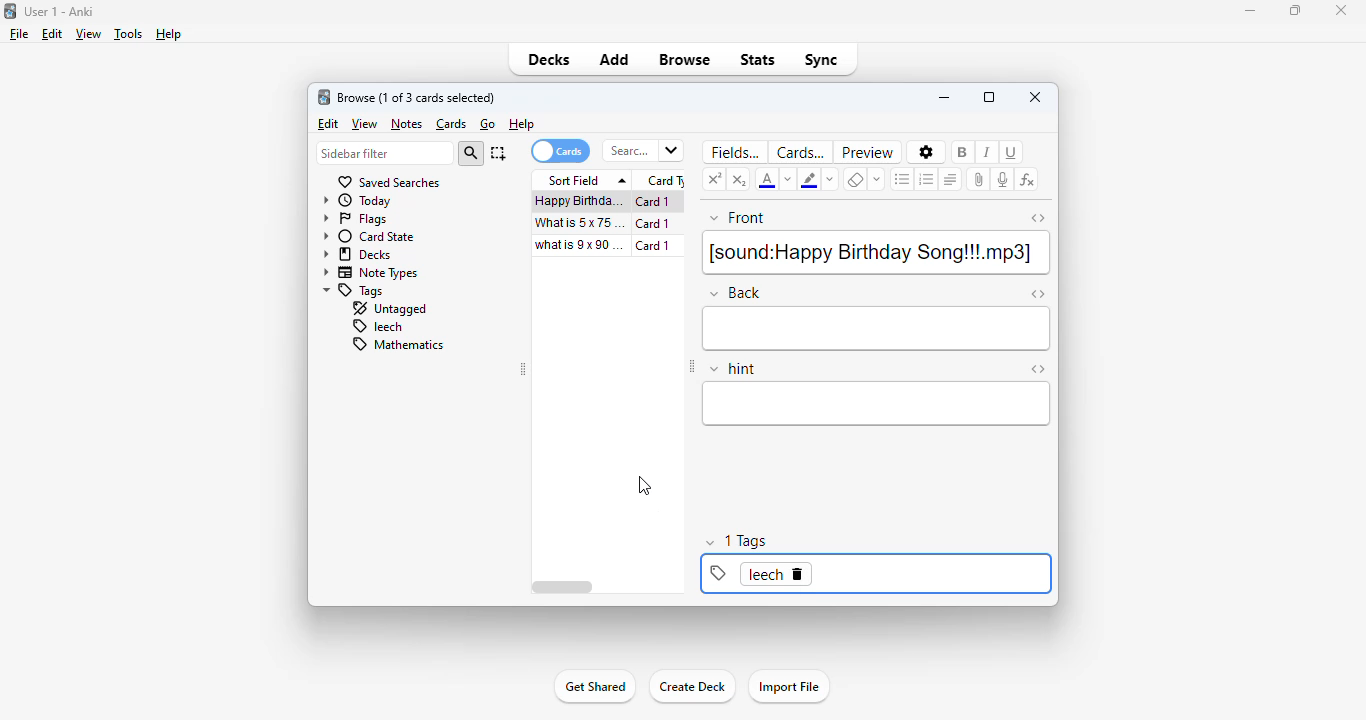 Image resolution: width=1366 pixels, height=720 pixels. I want to click on maximize, so click(990, 97).